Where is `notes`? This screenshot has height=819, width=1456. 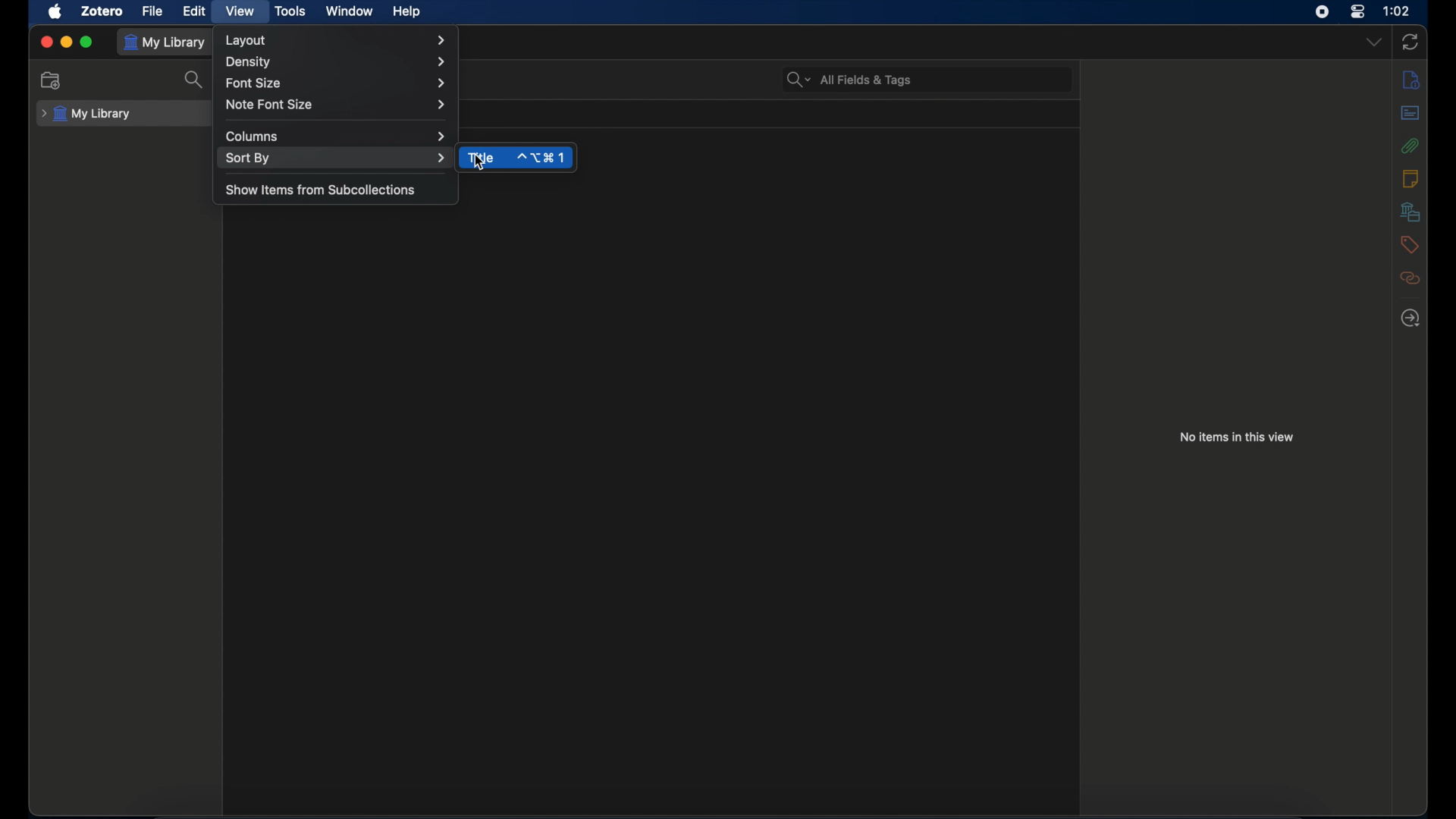
notes is located at coordinates (1411, 177).